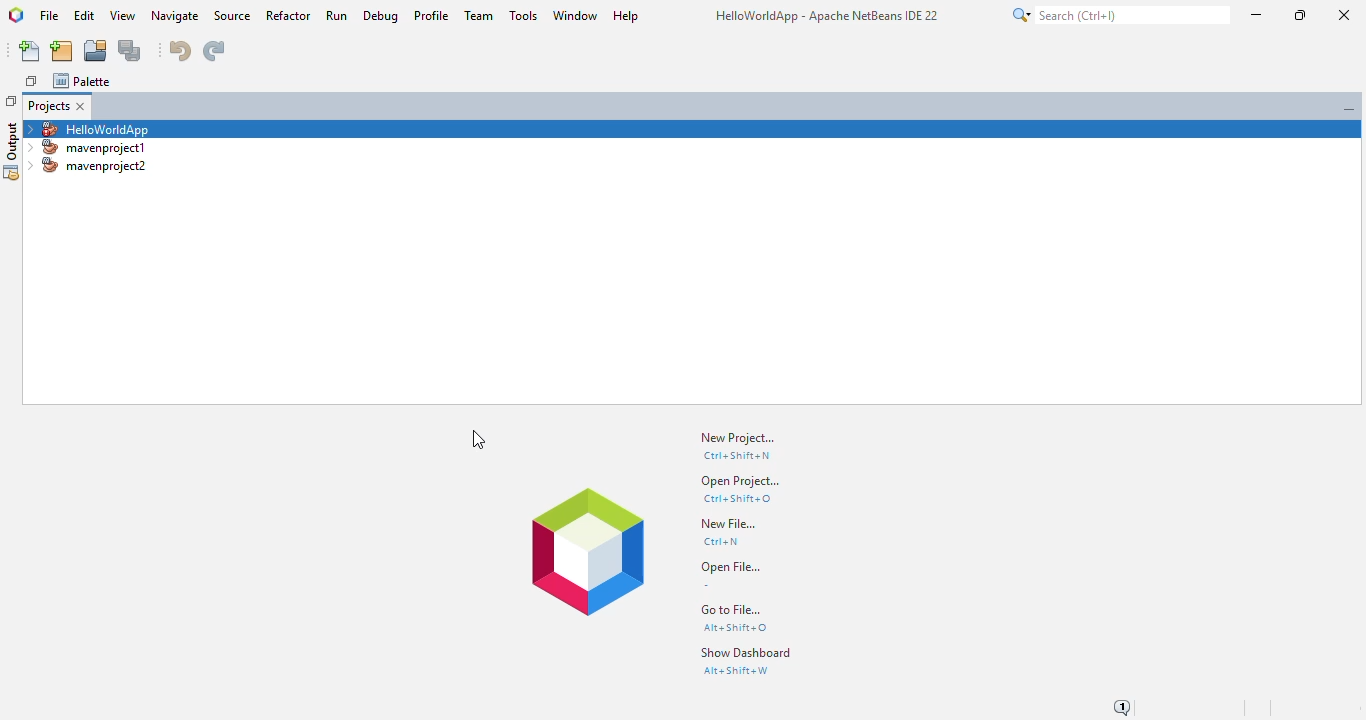  Describe the element at coordinates (337, 15) in the screenshot. I see `run` at that location.